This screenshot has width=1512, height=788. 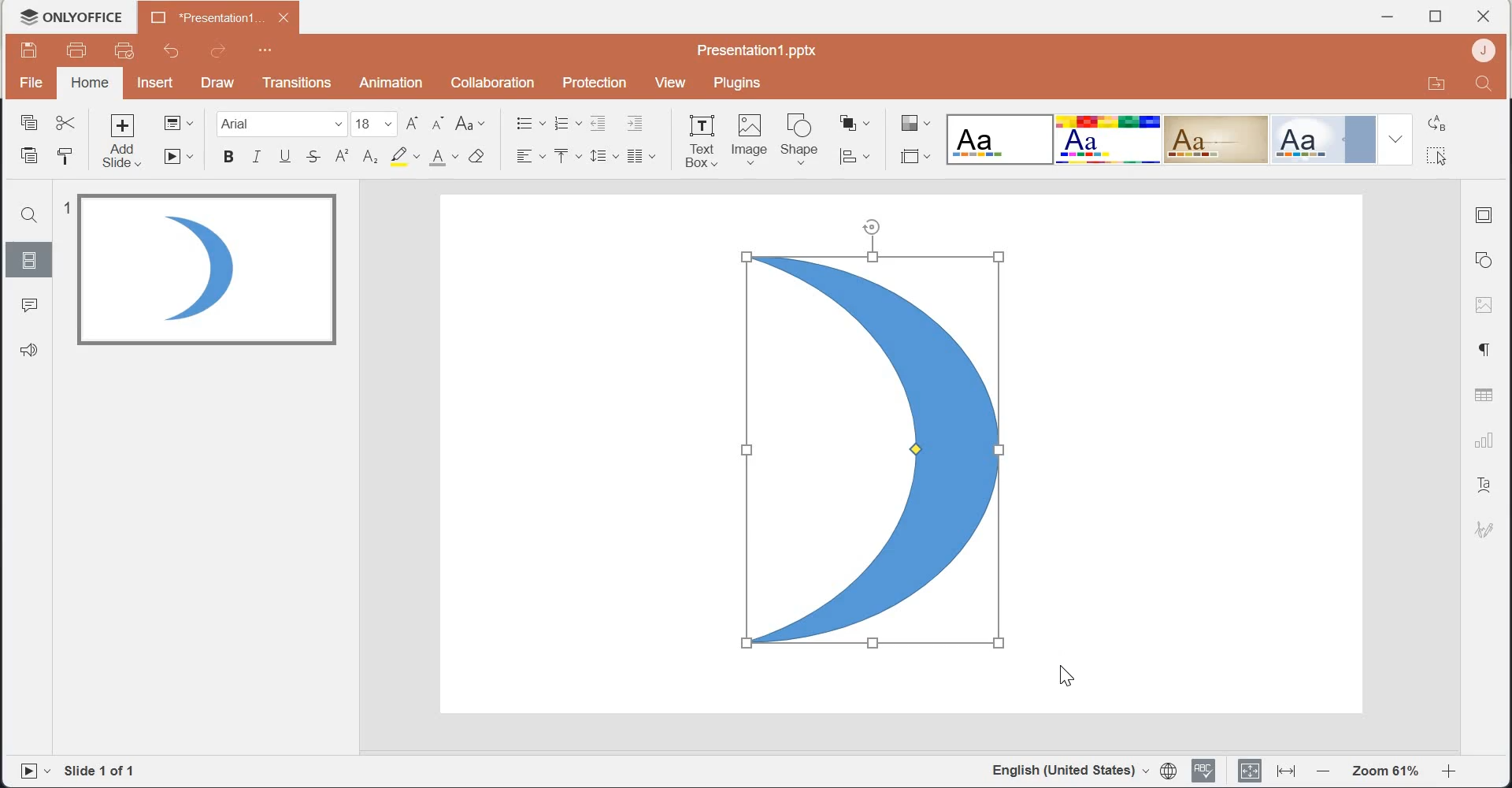 What do you see at coordinates (530, 155) in the screenshot?
I see `Horizontal Align` at bounding box center [530, 155].